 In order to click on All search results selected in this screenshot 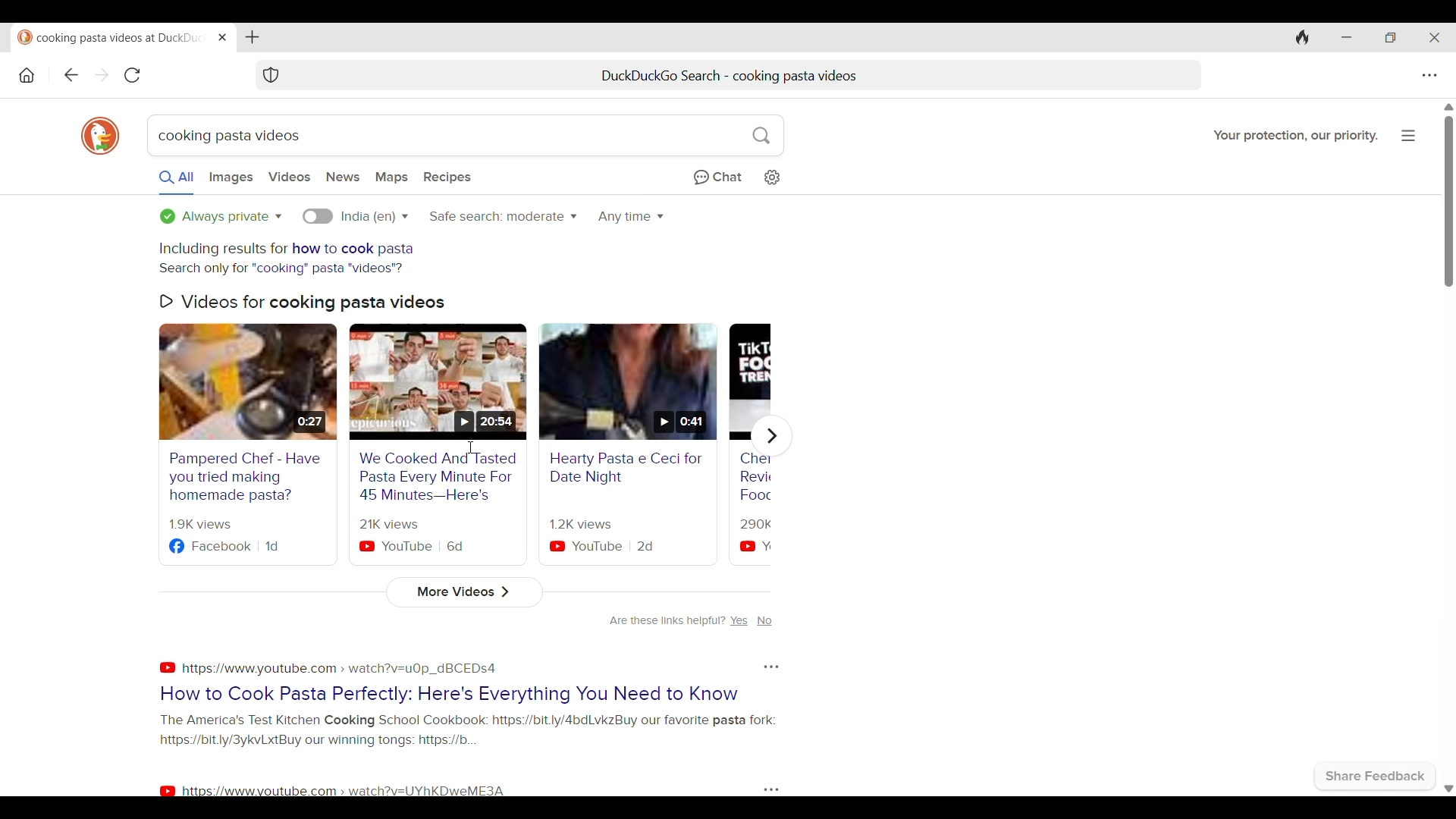, I will do `click(177, 182)`.